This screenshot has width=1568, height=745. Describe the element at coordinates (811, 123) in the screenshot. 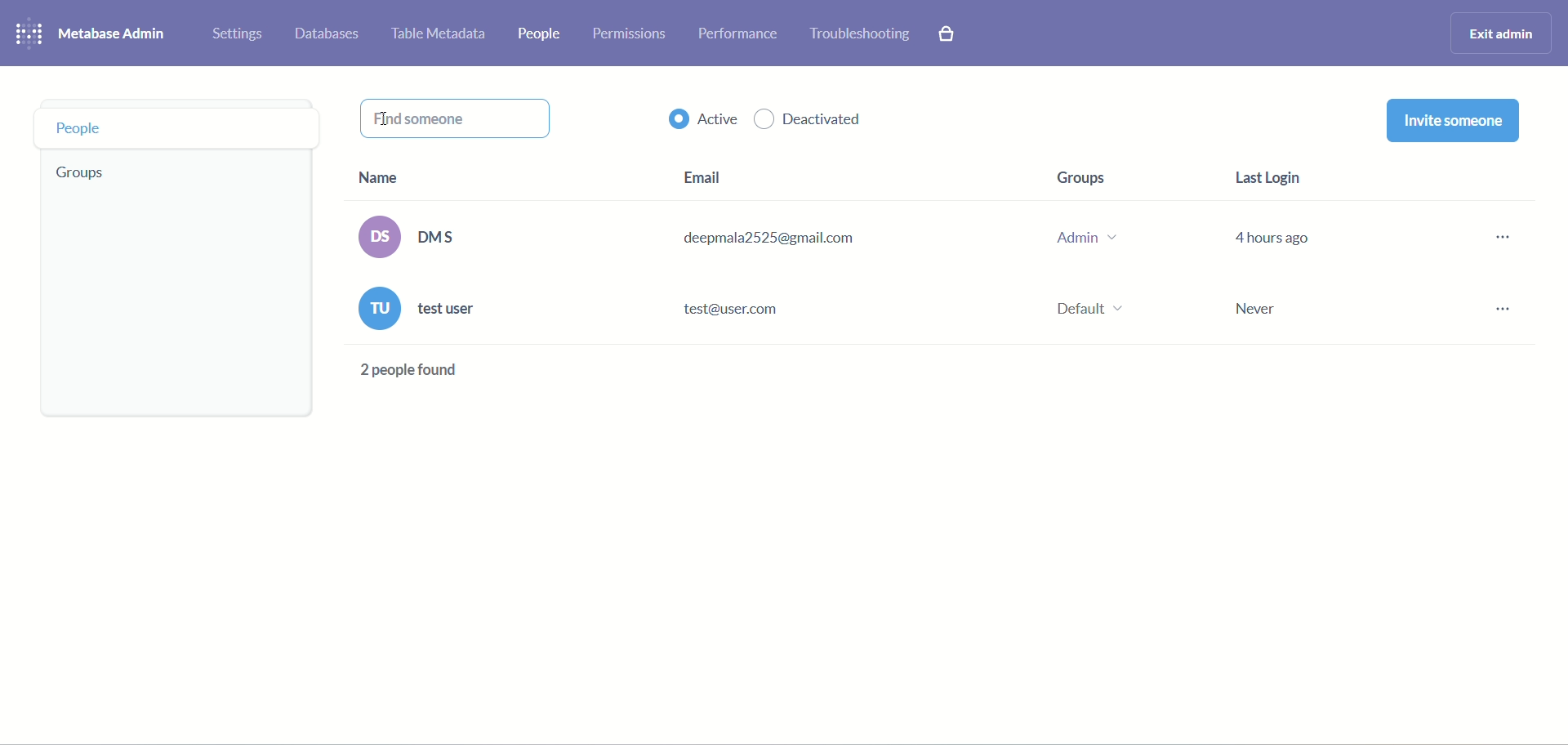

I see `deactivated` at that location.